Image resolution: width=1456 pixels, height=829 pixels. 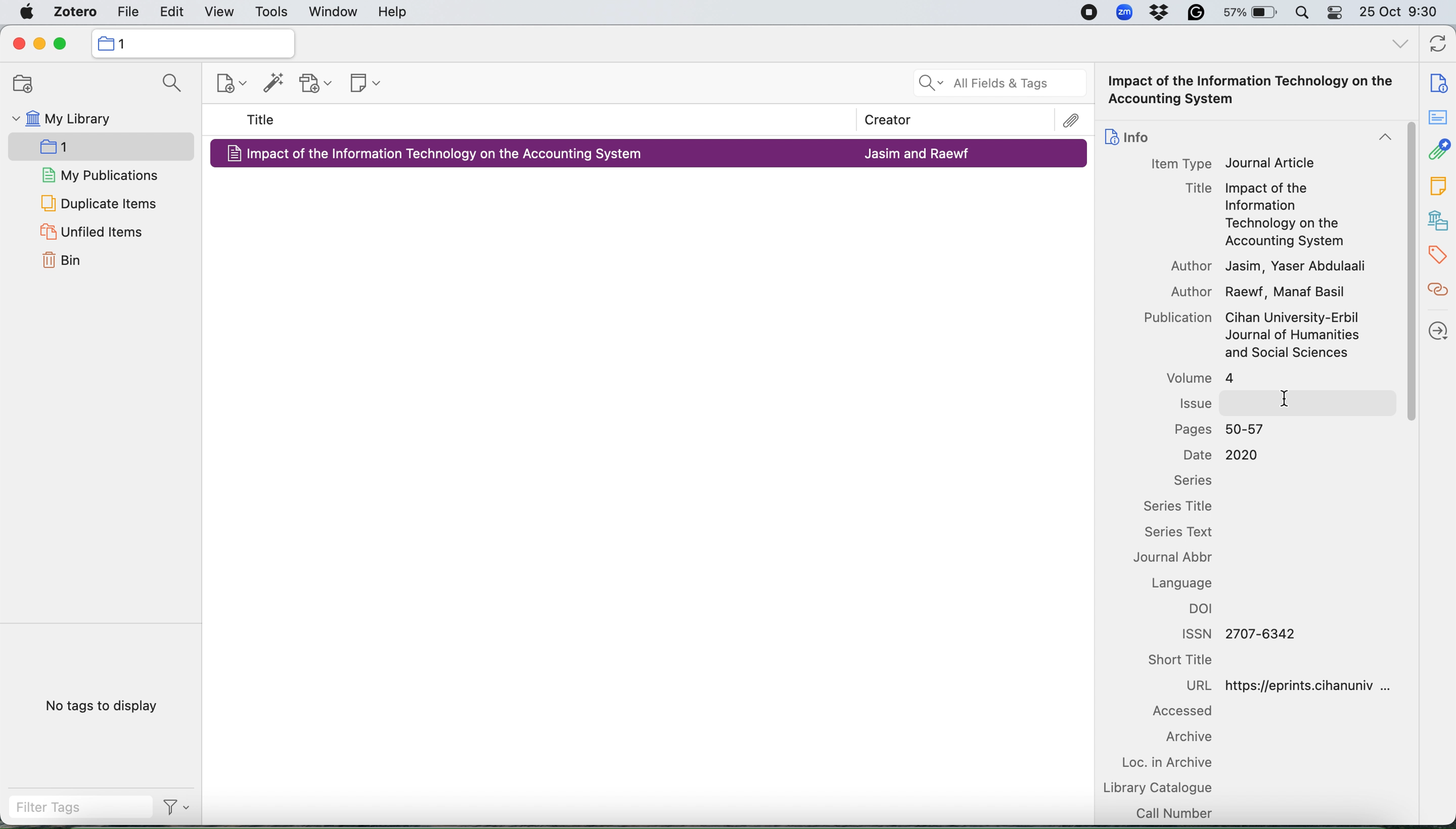 What do you see at coordinates (1052, 121) in the screenshot?
I see `creator` at bounding box center [1052, 121].